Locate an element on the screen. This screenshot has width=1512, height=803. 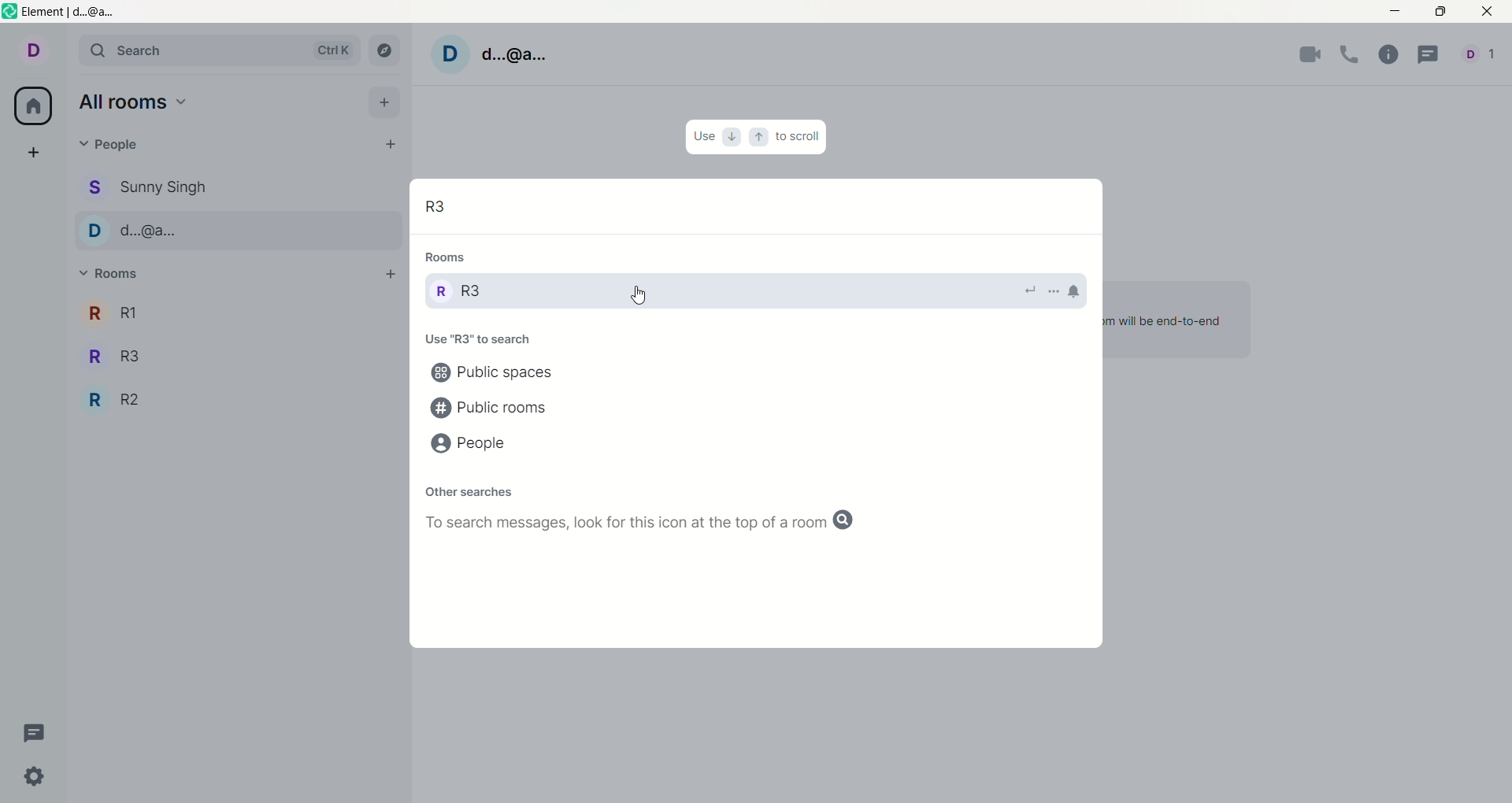
threads is located at coordinates (41, 734).